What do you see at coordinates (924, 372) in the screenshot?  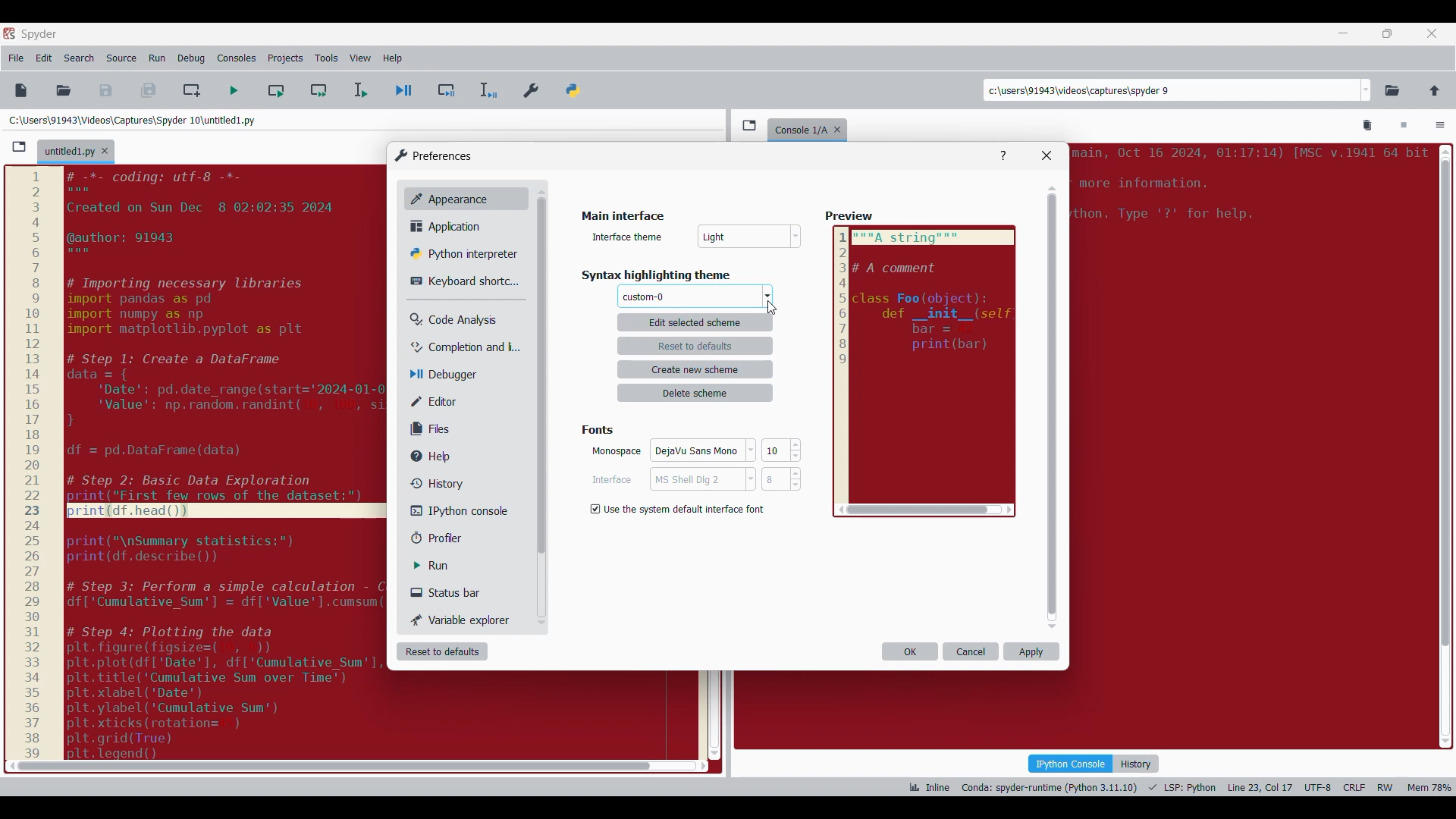 I see `Preview reflecting selected theme` at bounding box center [924, 372].